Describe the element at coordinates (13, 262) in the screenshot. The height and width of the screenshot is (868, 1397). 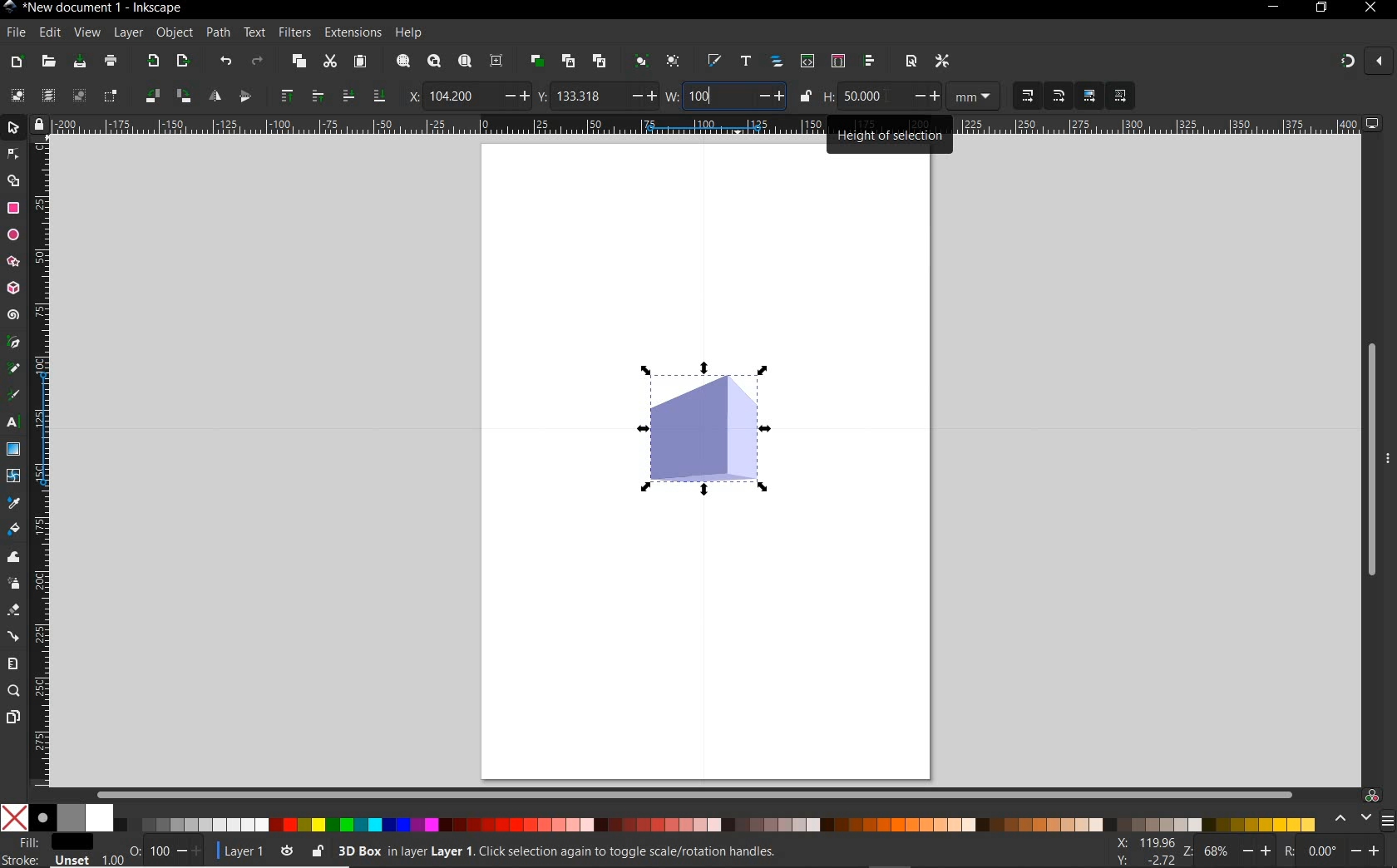
I see `star tool` at that location.